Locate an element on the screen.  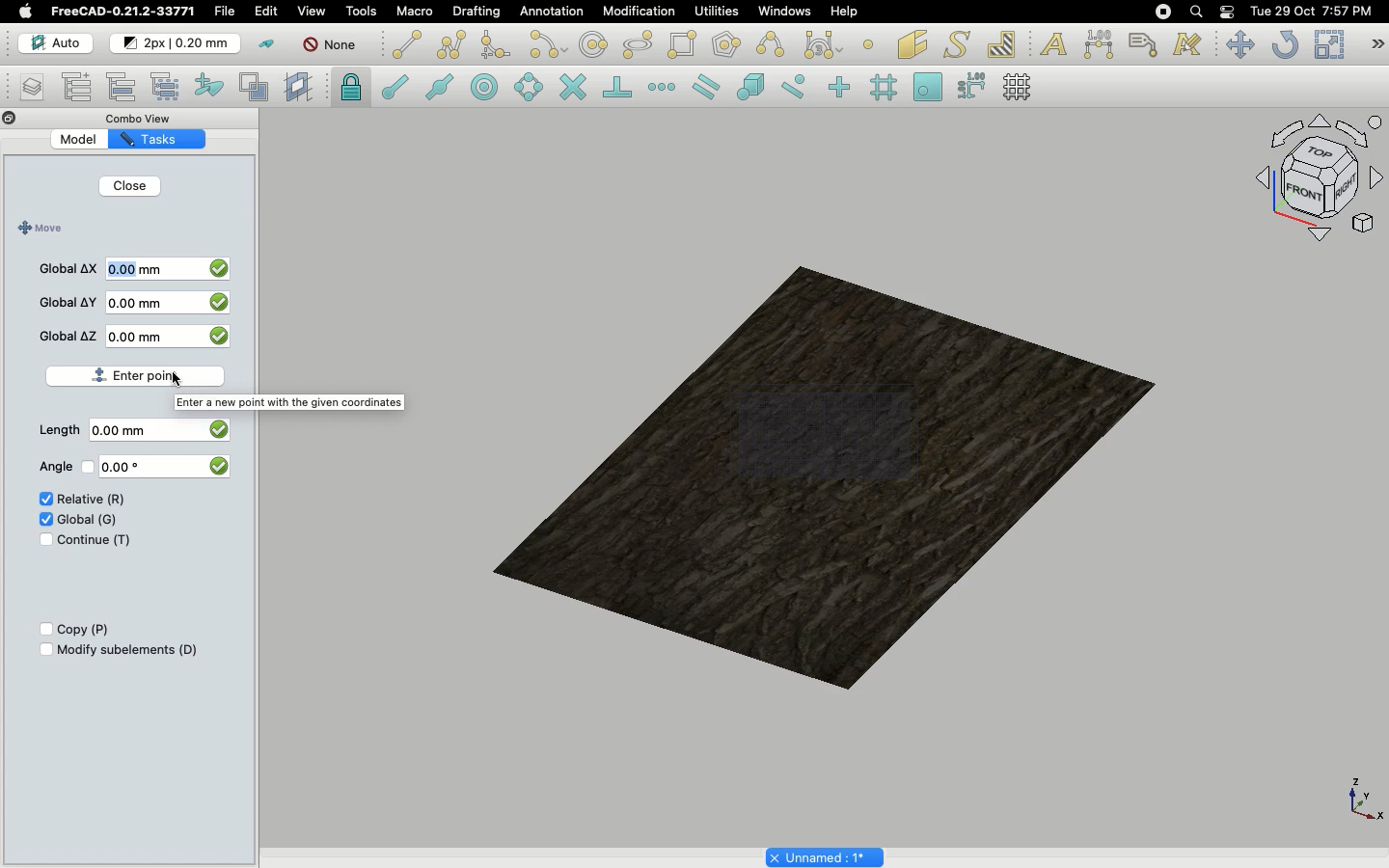
Close is located at coordinates (10, 120).